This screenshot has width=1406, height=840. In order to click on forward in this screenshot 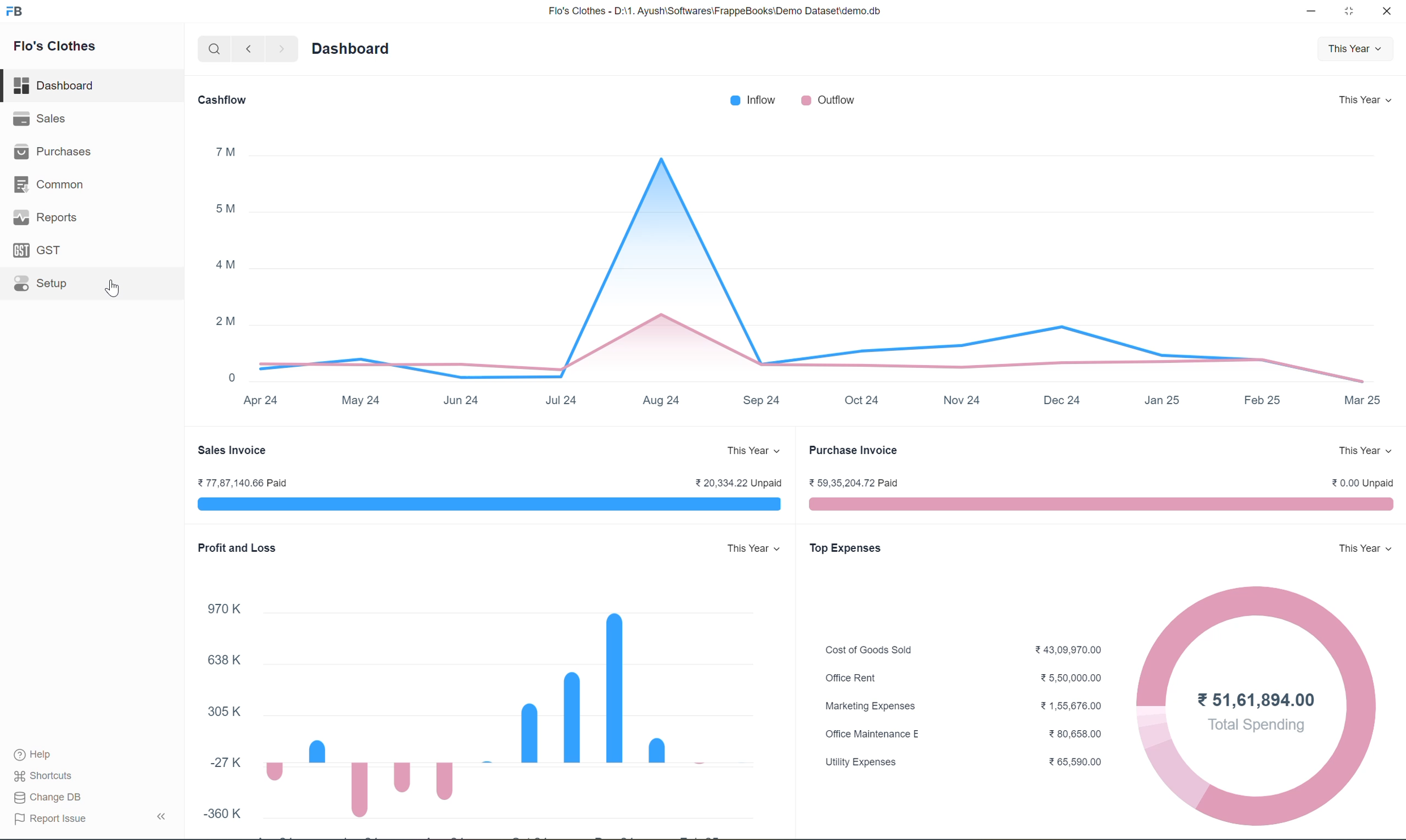, I will do `click(283, 49)`.